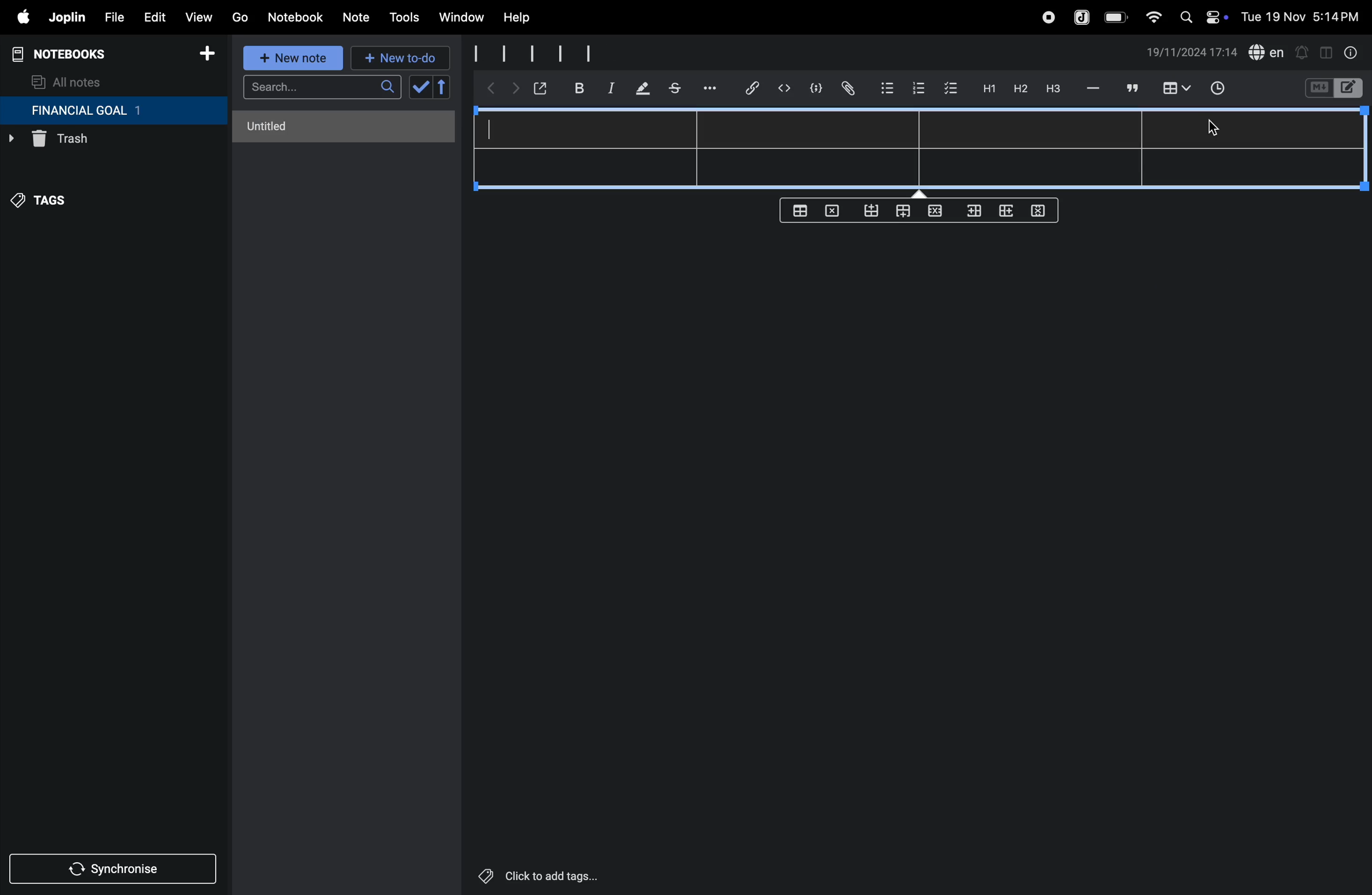  I want to click on forward, so click(512, 91).